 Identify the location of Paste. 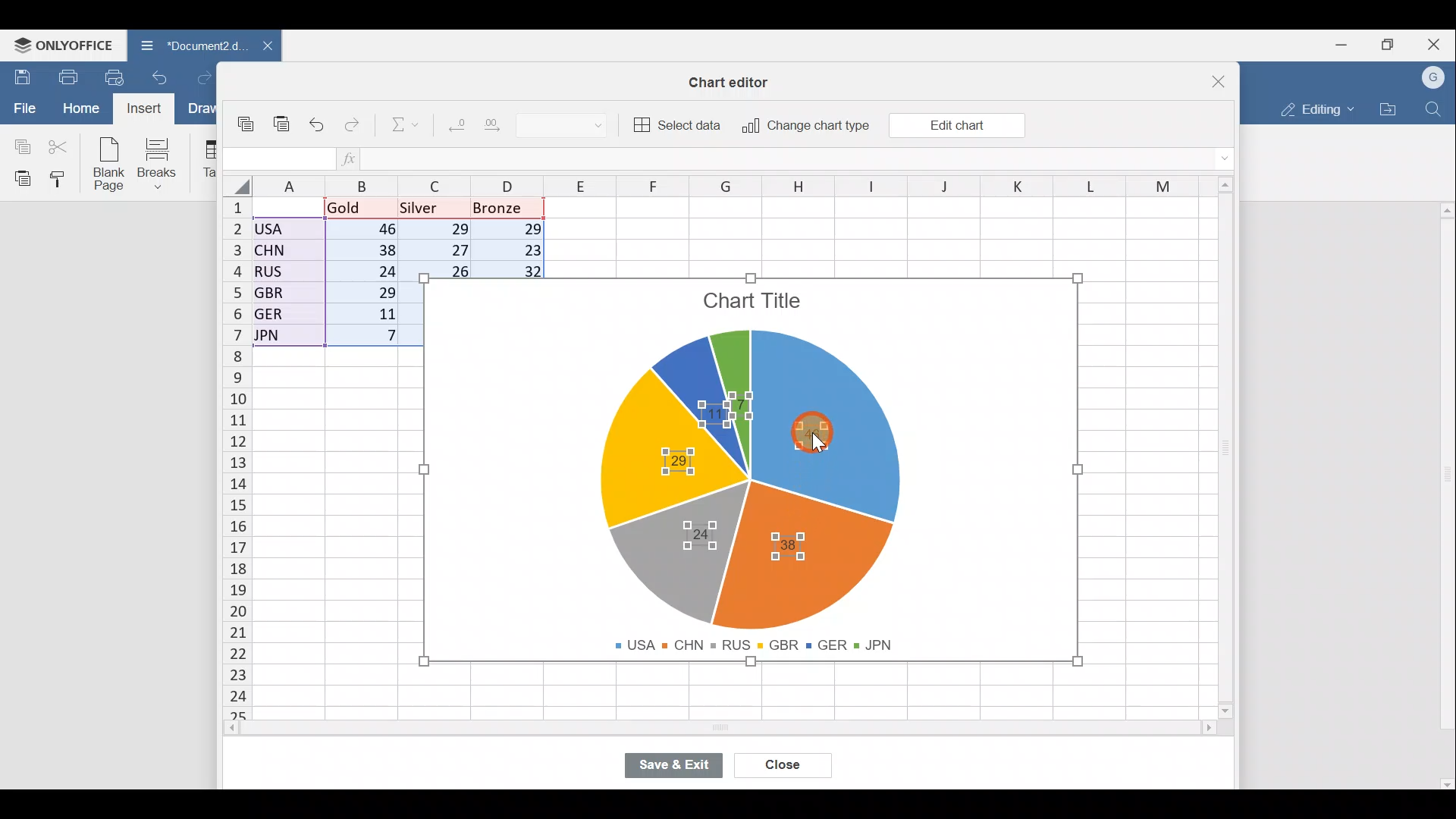
(283, 129).